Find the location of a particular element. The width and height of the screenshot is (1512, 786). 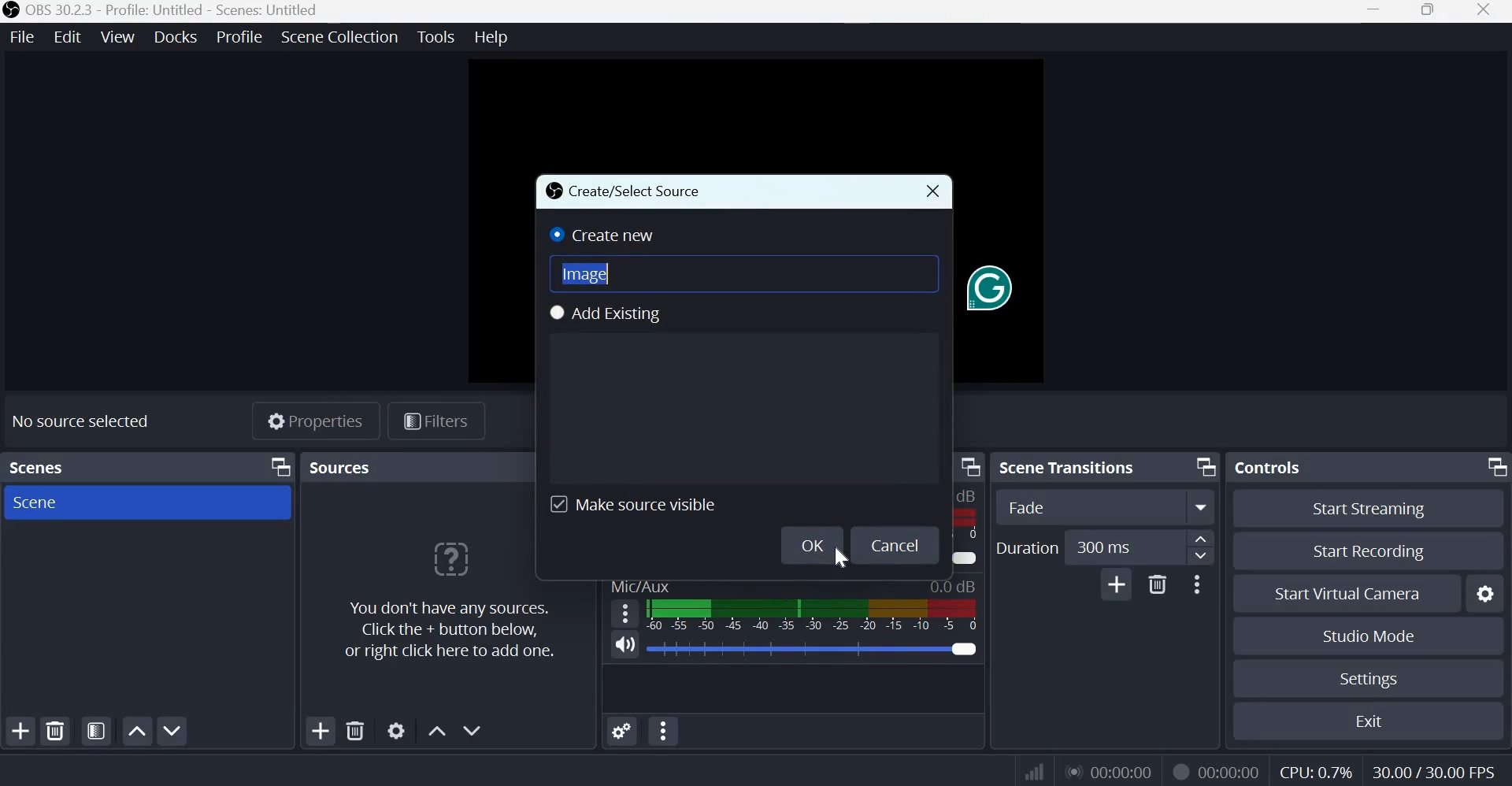

close is located at coordinates (1488, 13).